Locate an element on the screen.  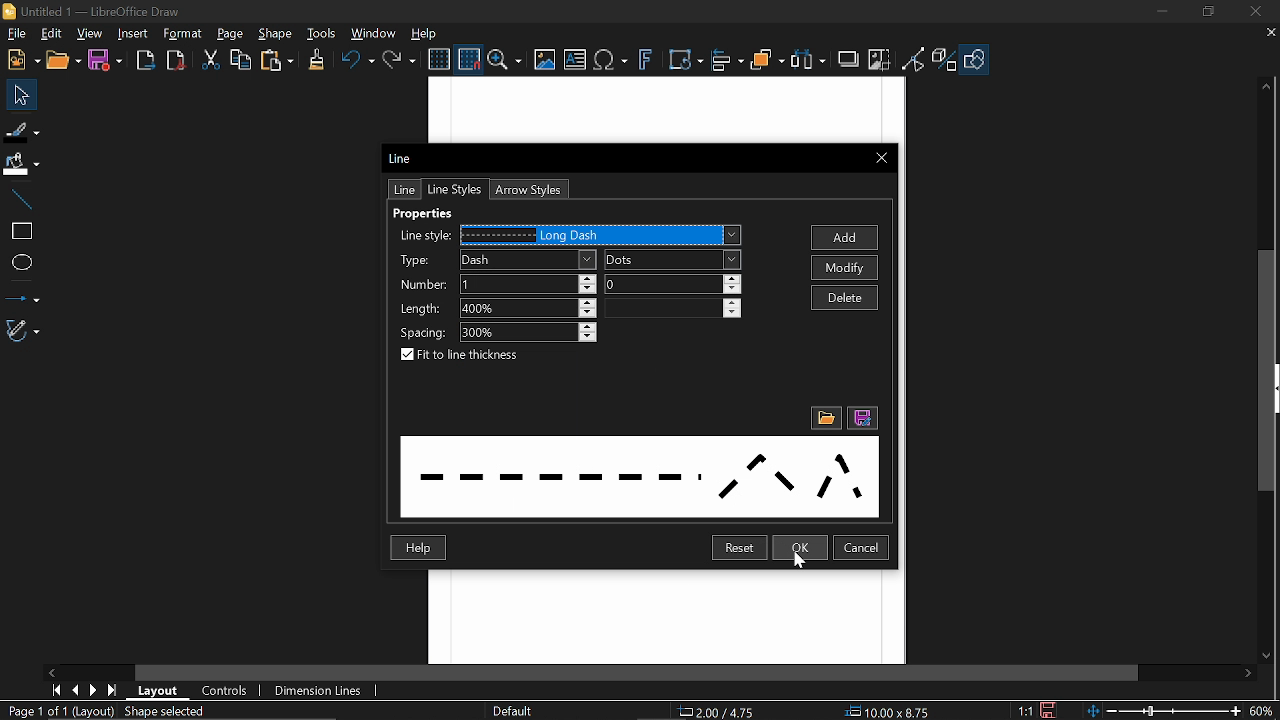
Vertical scrollbar is located at coordinates (1271, 371).